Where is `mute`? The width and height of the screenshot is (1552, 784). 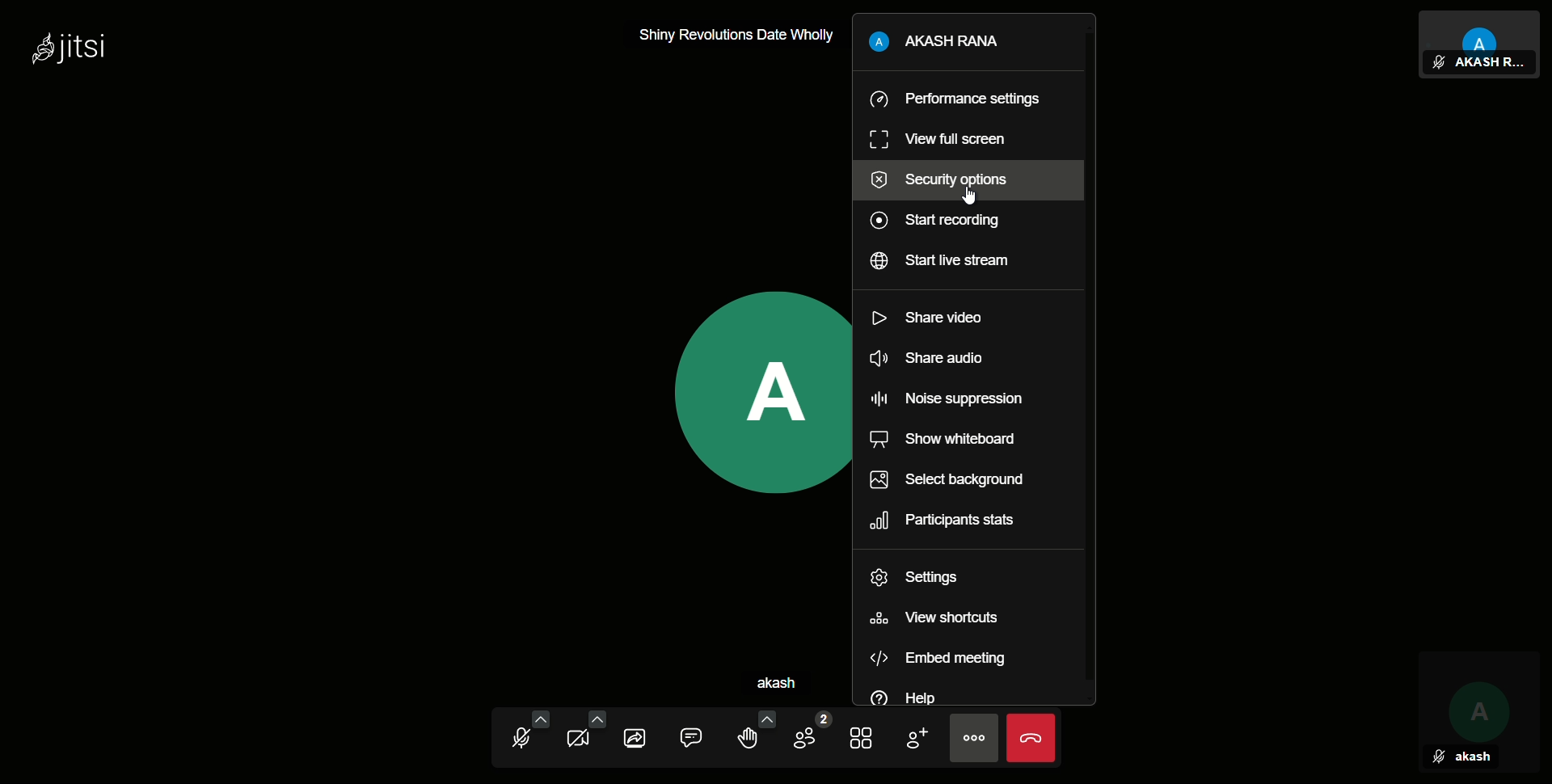
mute is located at coordinates (523, 735).